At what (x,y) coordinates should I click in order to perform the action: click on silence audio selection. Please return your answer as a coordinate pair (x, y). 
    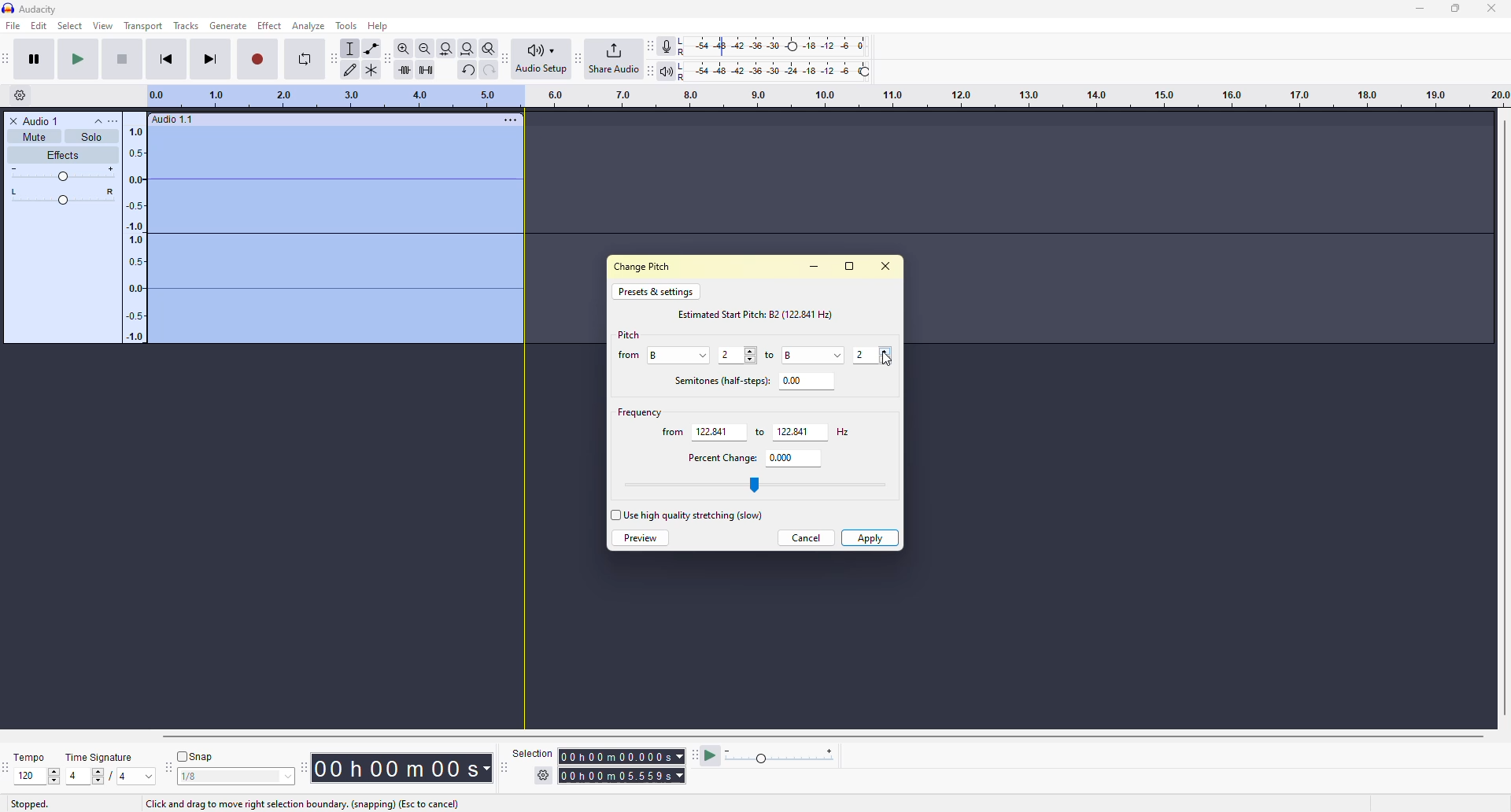
    Looking at the image, I should click on (424, 68).